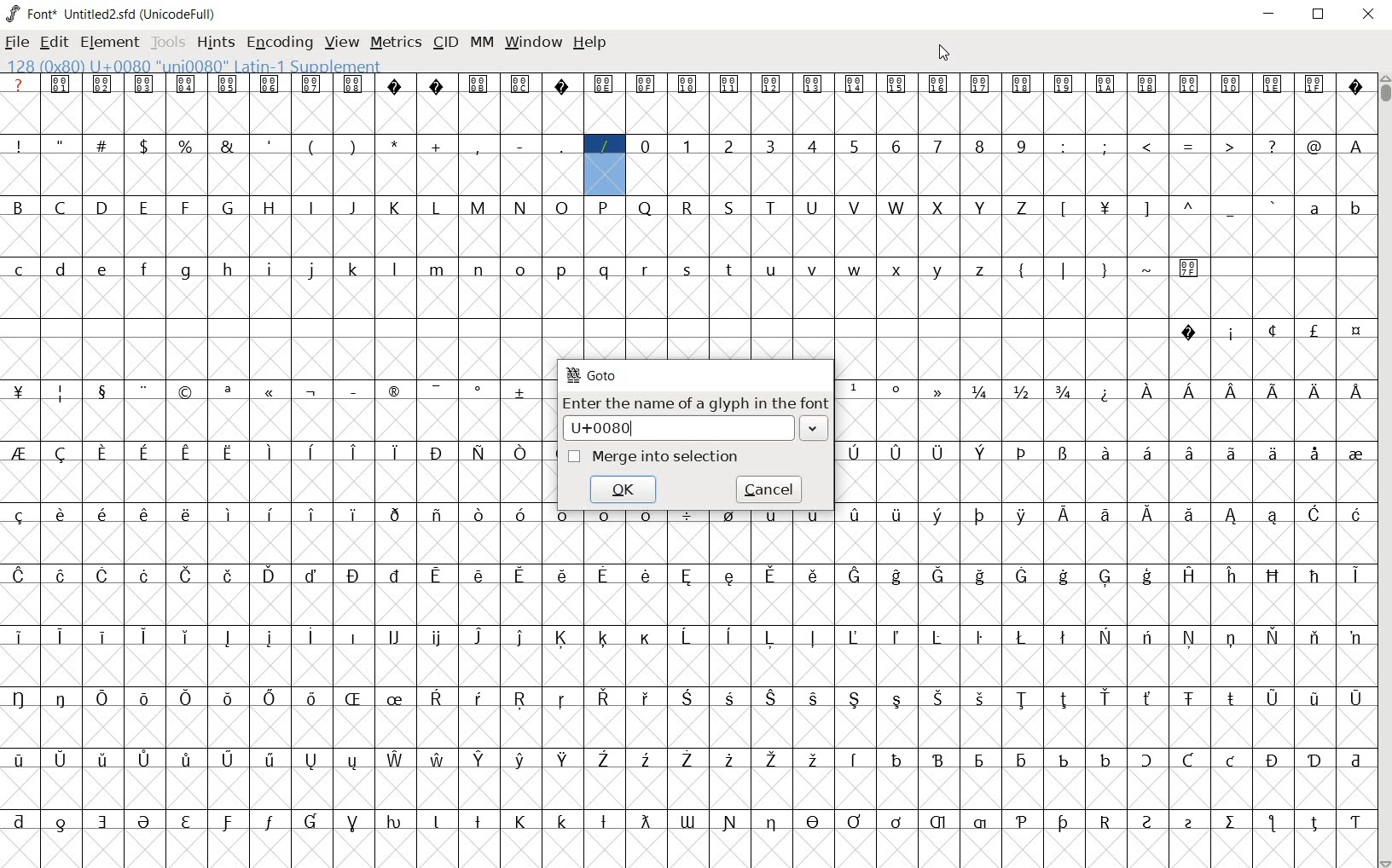  Describe the element at coordinates (770, 698) in the screenshot. I see `glyph` at that location.